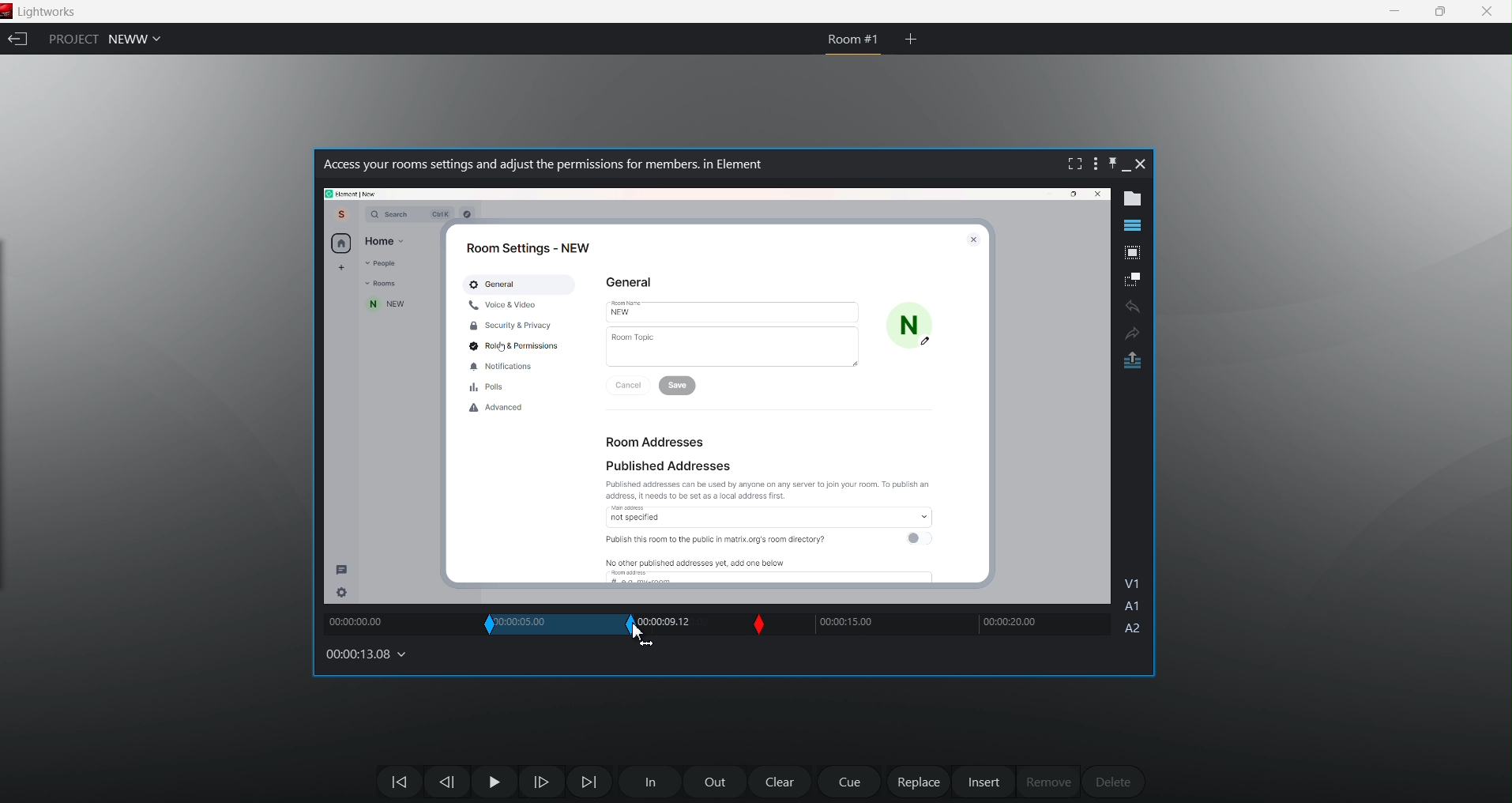  I want to click on add new, so click(340, 269).